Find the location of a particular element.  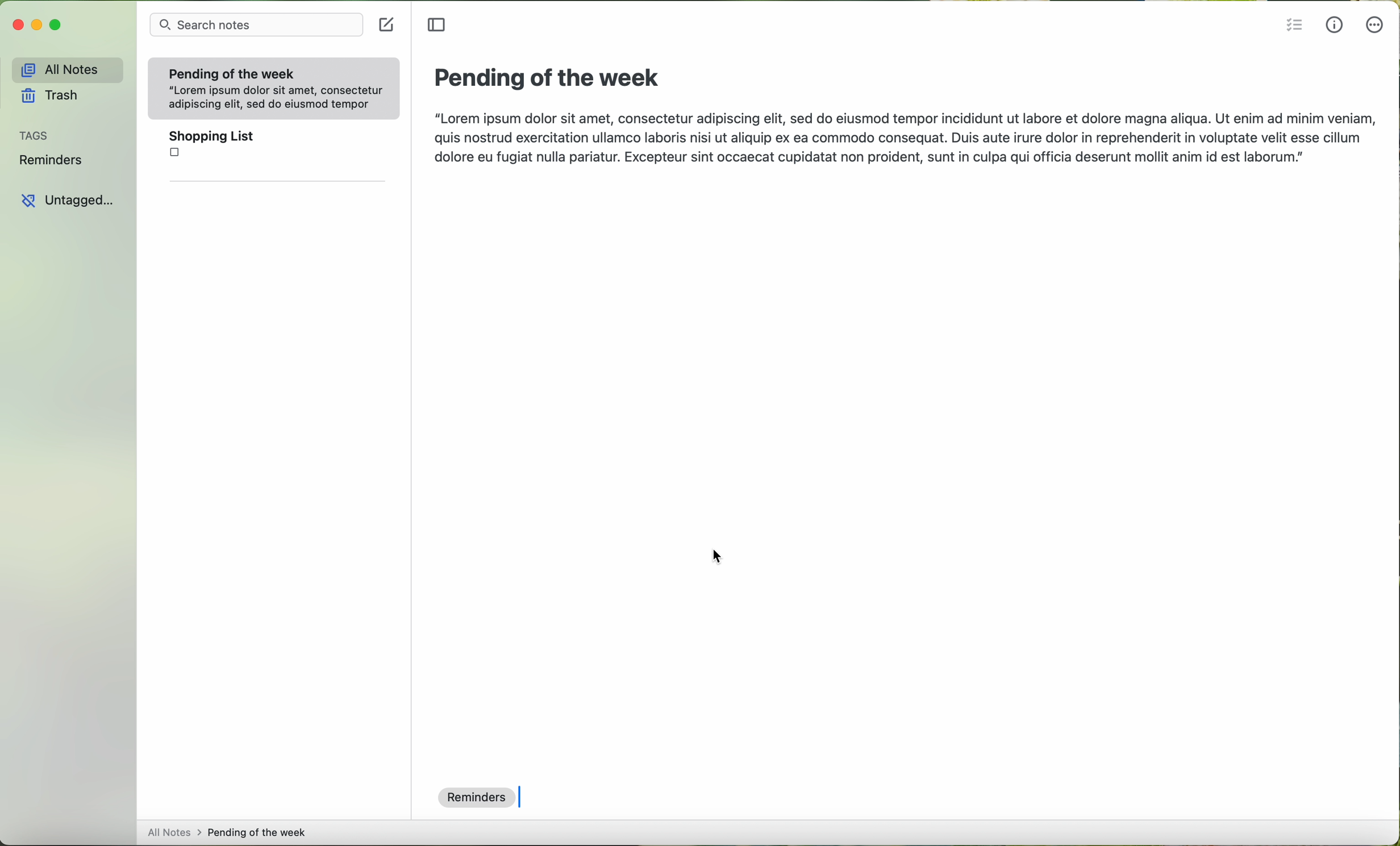

minimize program is located at coordinates (37, 26).